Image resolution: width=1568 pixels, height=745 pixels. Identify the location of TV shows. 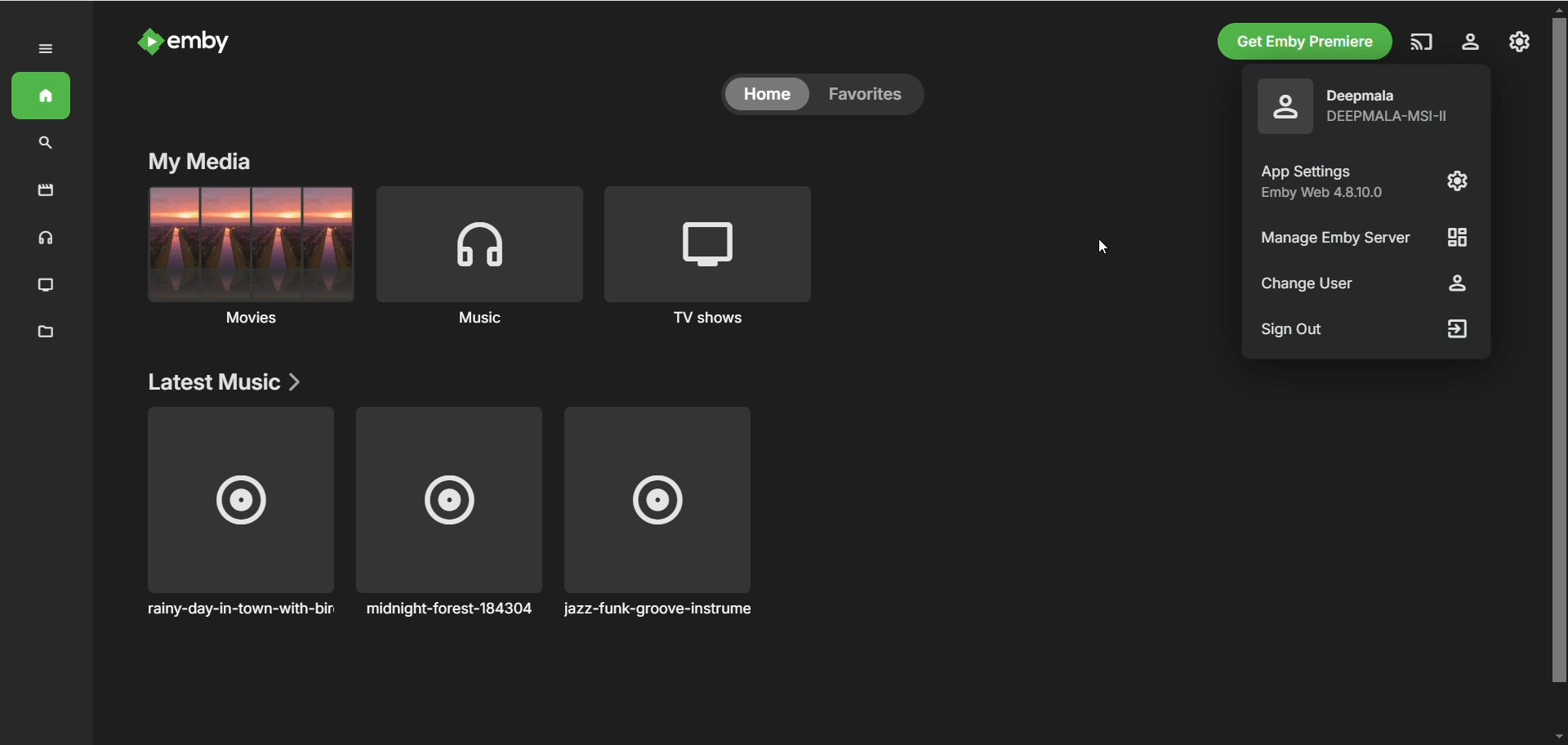
(712, 322).